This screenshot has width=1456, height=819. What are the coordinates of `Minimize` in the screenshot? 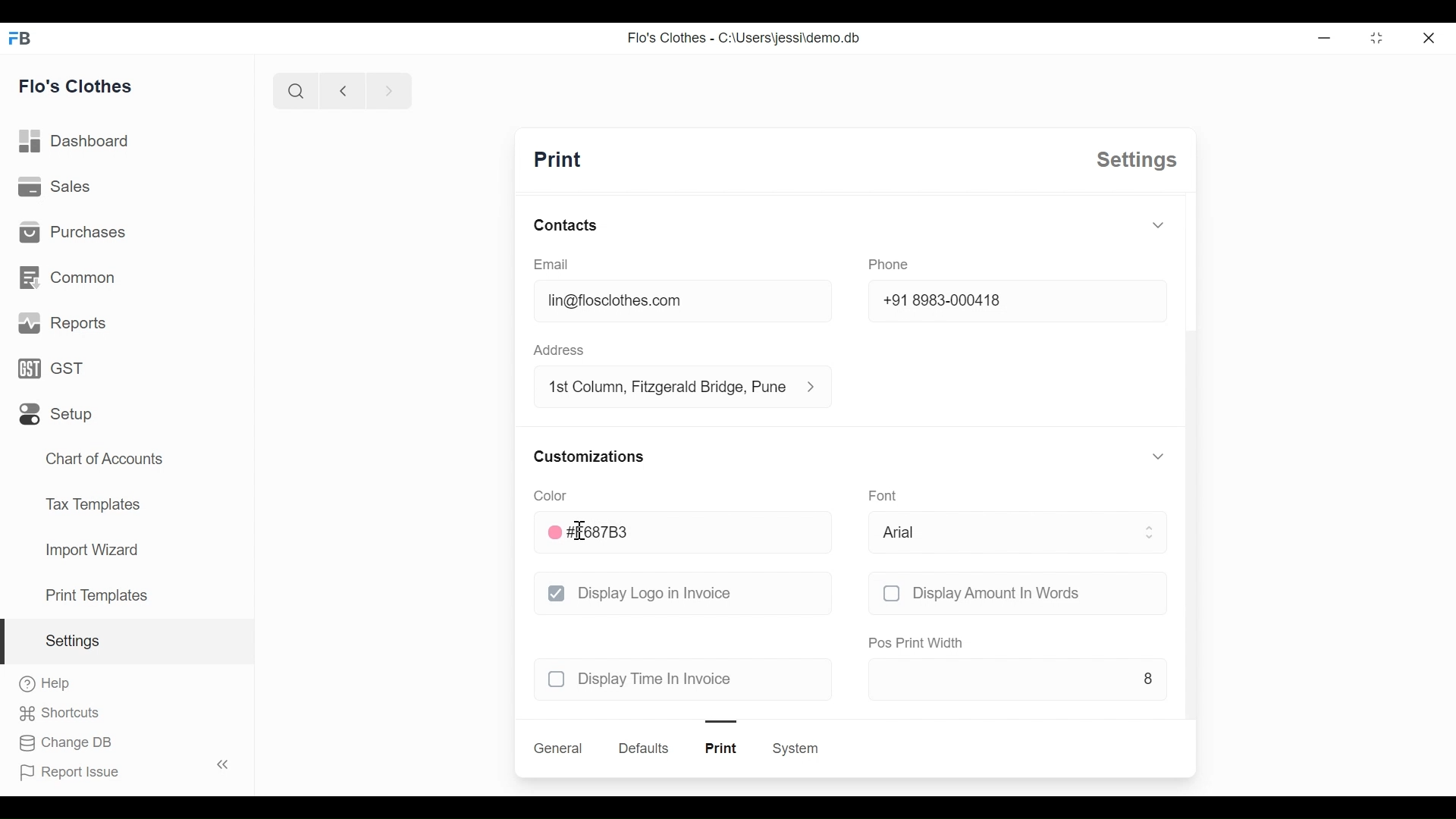 It's located at (1322, 37).